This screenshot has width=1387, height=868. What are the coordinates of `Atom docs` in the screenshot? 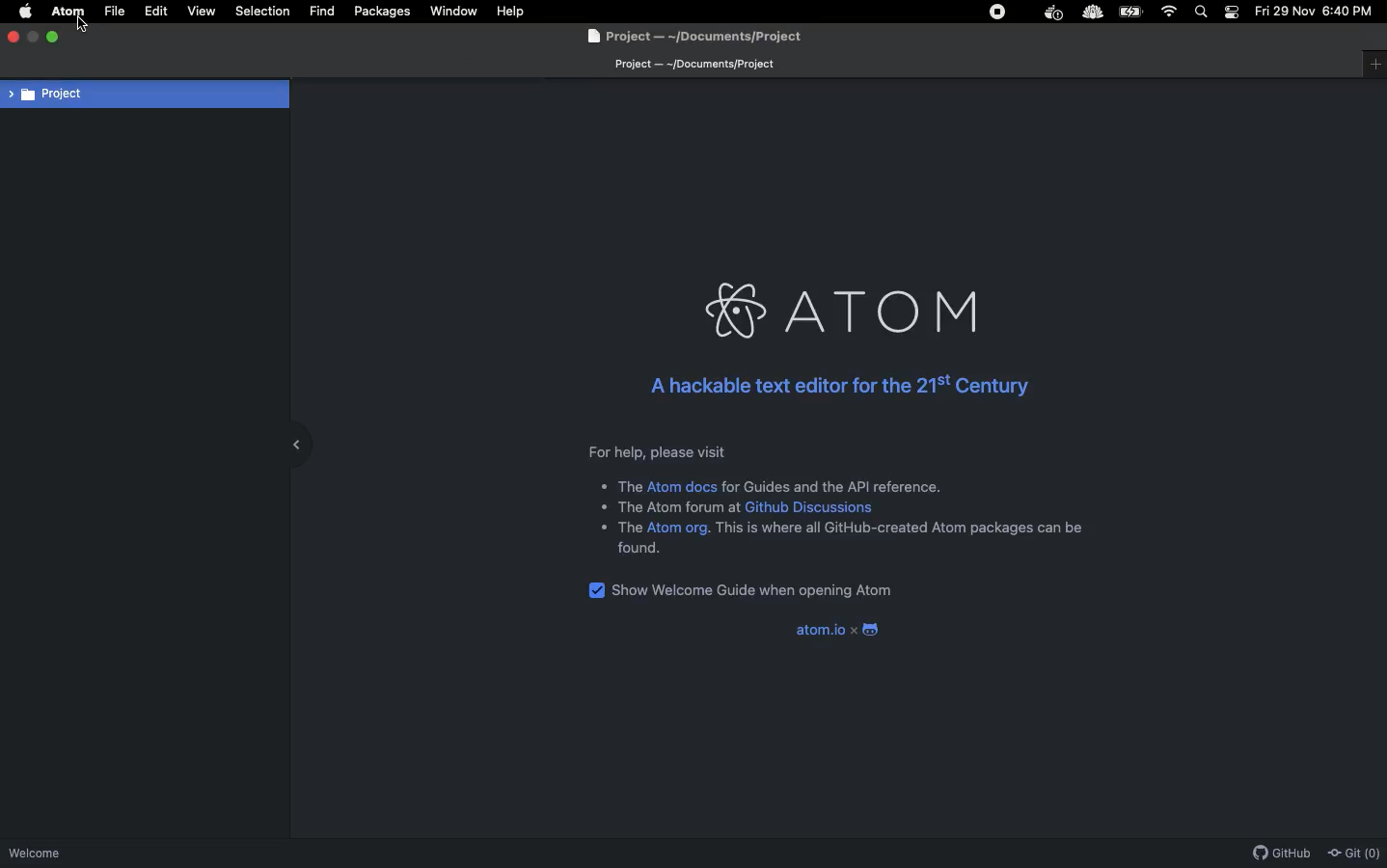 It's located at (681, 486).